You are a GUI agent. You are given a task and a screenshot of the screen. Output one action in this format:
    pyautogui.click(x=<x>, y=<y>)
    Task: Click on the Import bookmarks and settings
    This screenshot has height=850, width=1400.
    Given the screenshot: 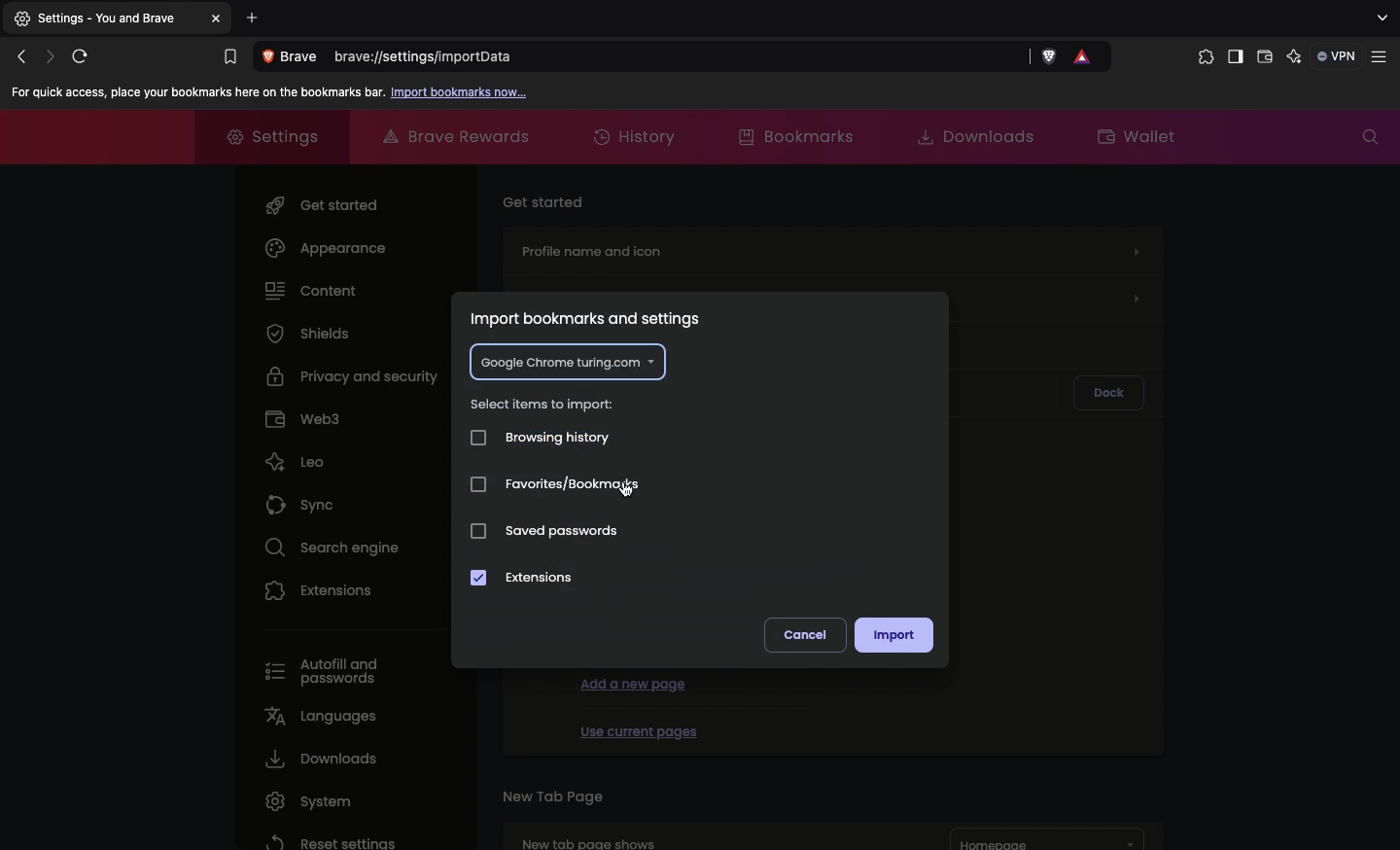 What is the action you would take?
    pyautogui.click(x=591, y=318)
    